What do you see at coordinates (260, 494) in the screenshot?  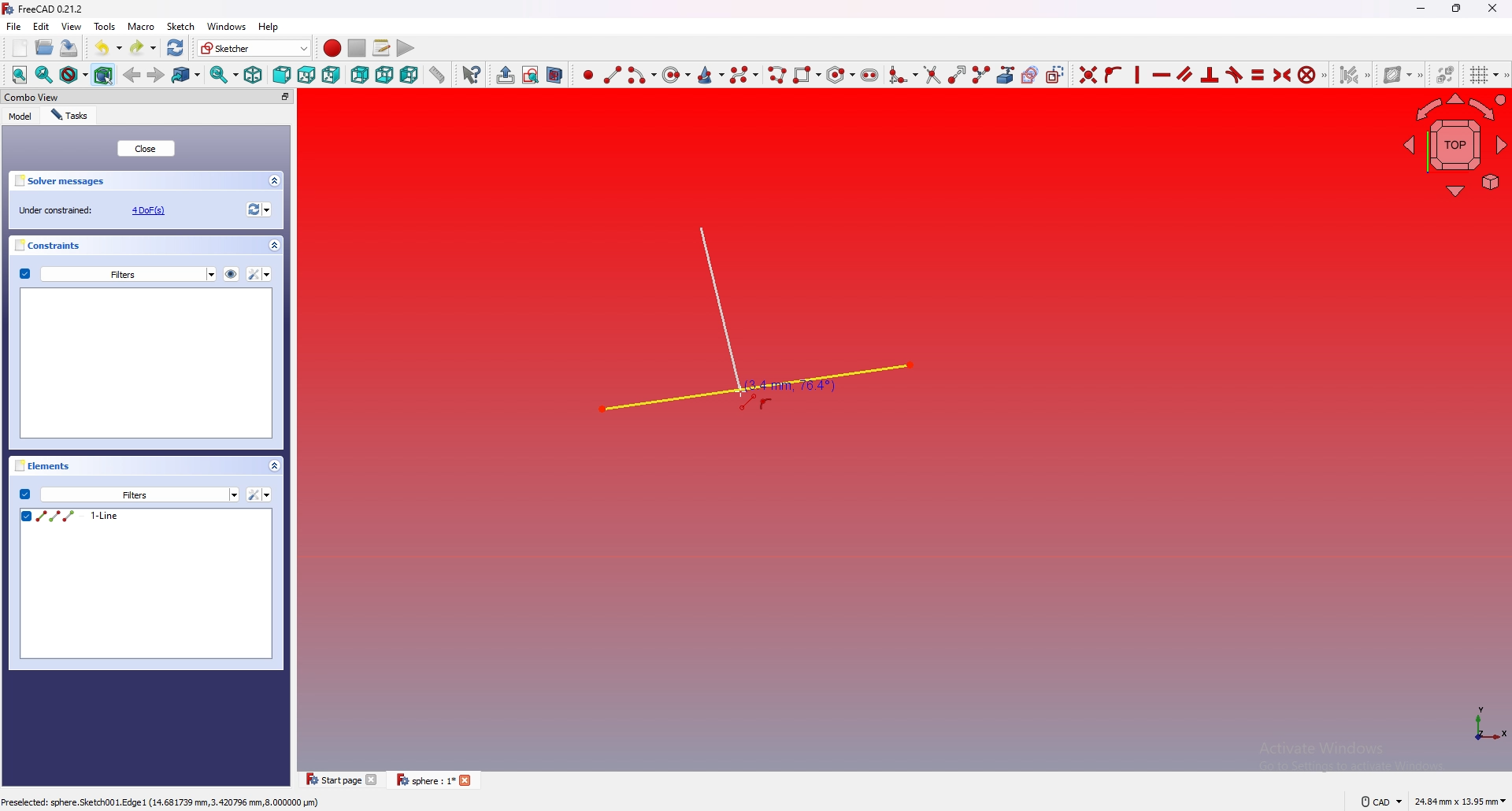 I see `Filter` at bounding box center [260, 494].